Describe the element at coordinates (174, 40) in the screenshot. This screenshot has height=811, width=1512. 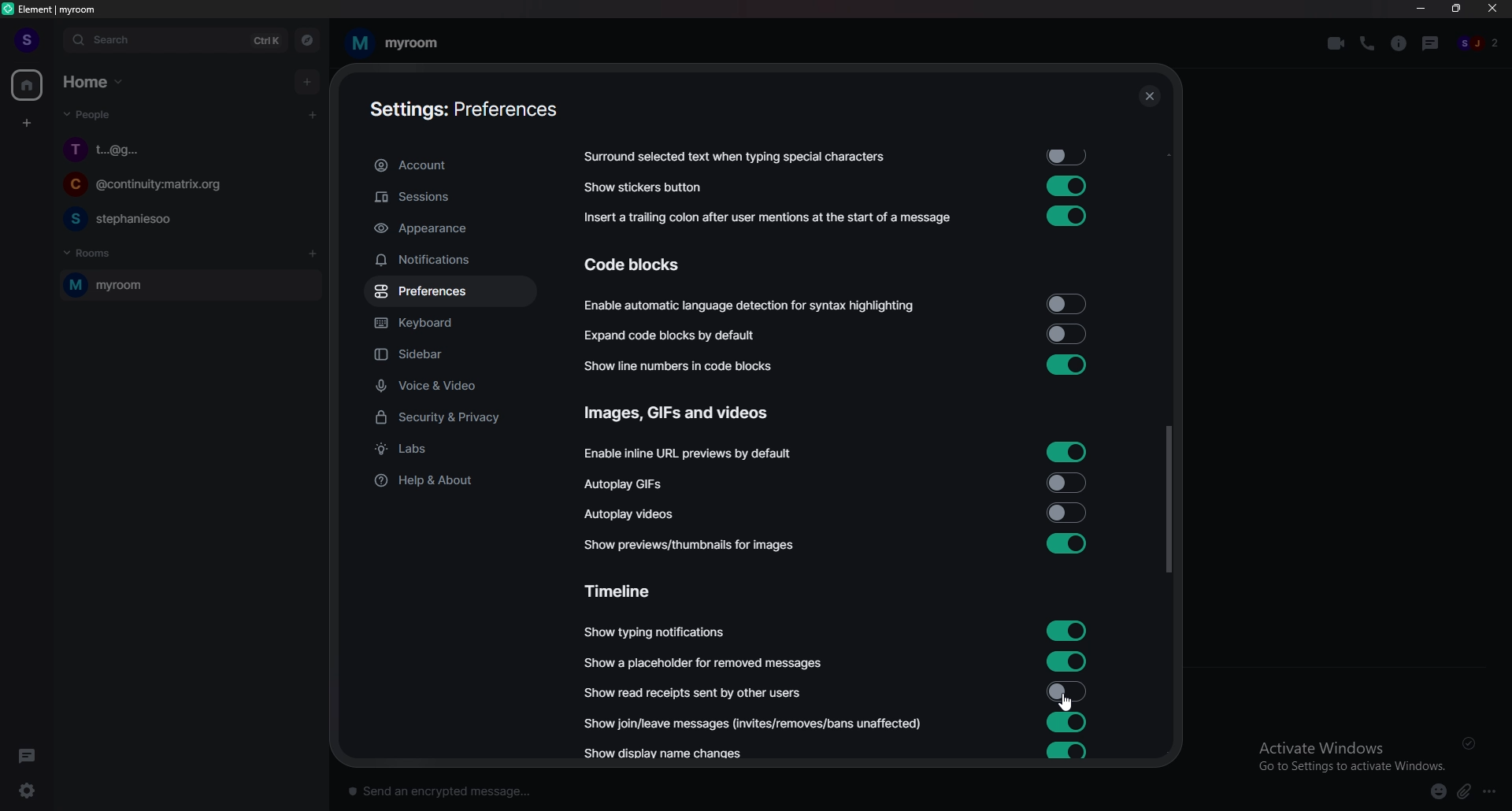
I see `search` at that location.